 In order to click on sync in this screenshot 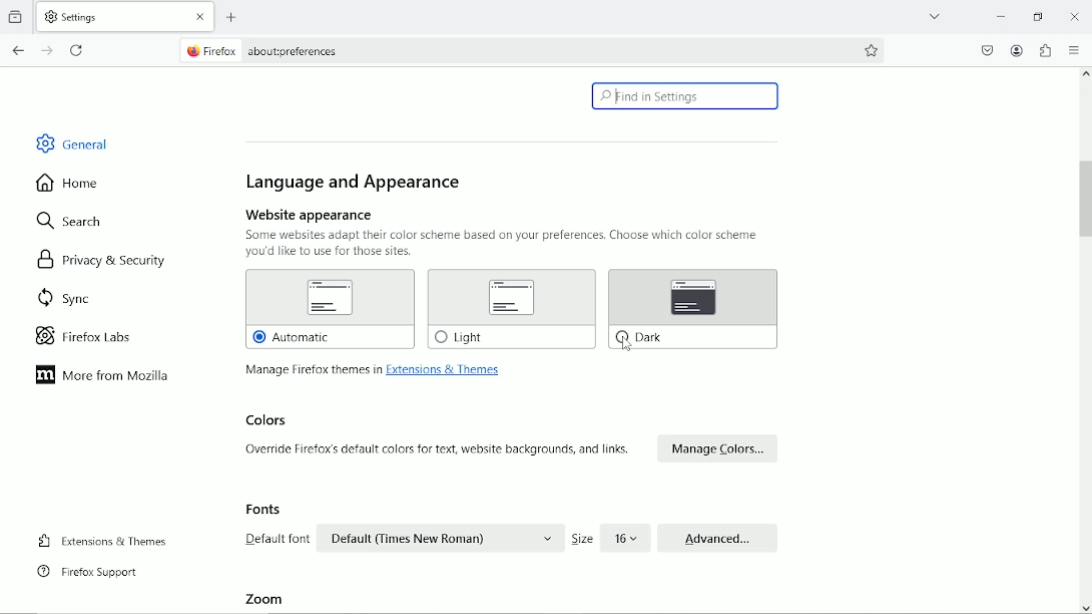, I will do `click(67, 299)`.